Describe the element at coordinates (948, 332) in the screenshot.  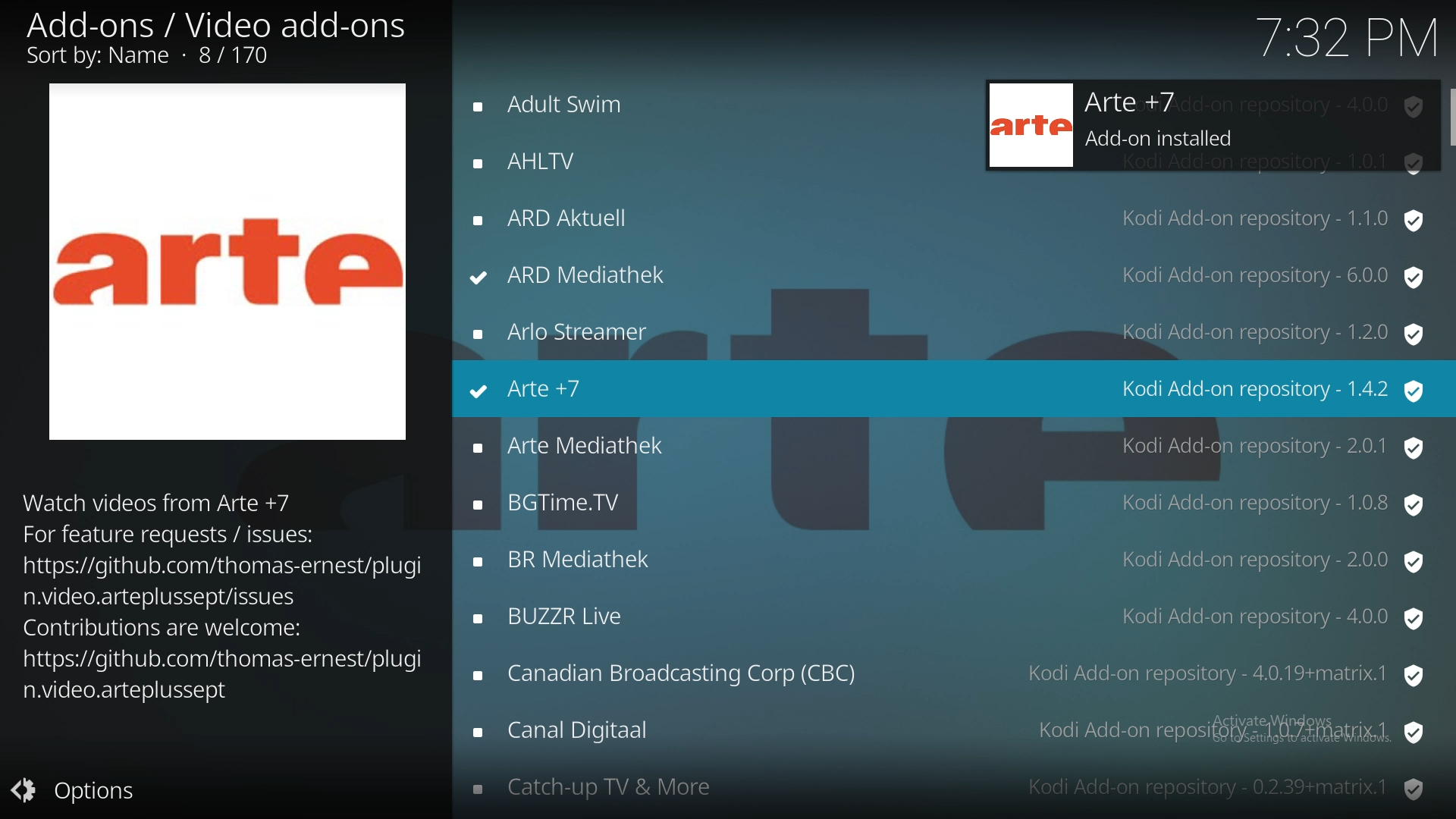
I see `add on` at that location.